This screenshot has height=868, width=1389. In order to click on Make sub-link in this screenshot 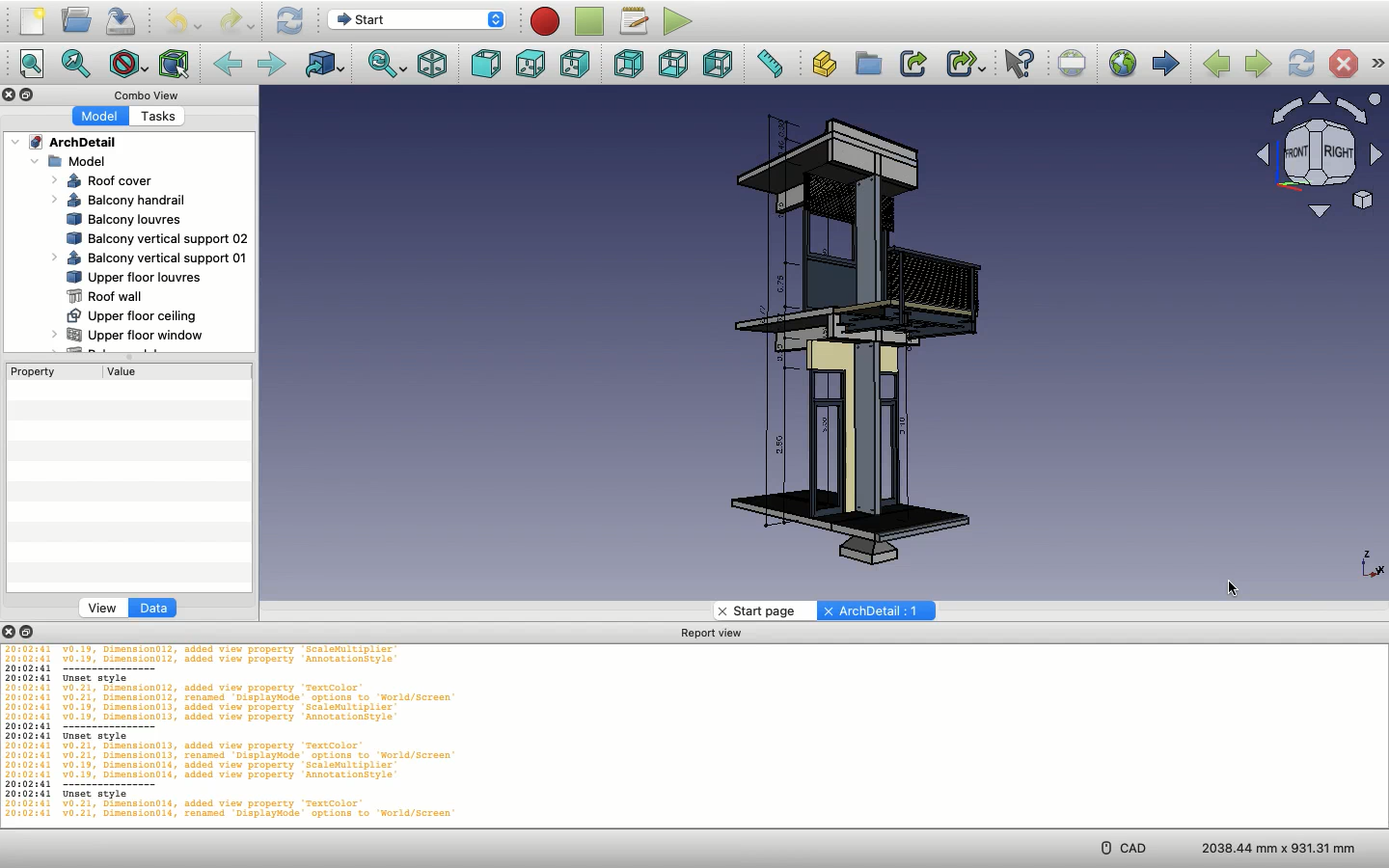, I will do `click(967, 65)`.